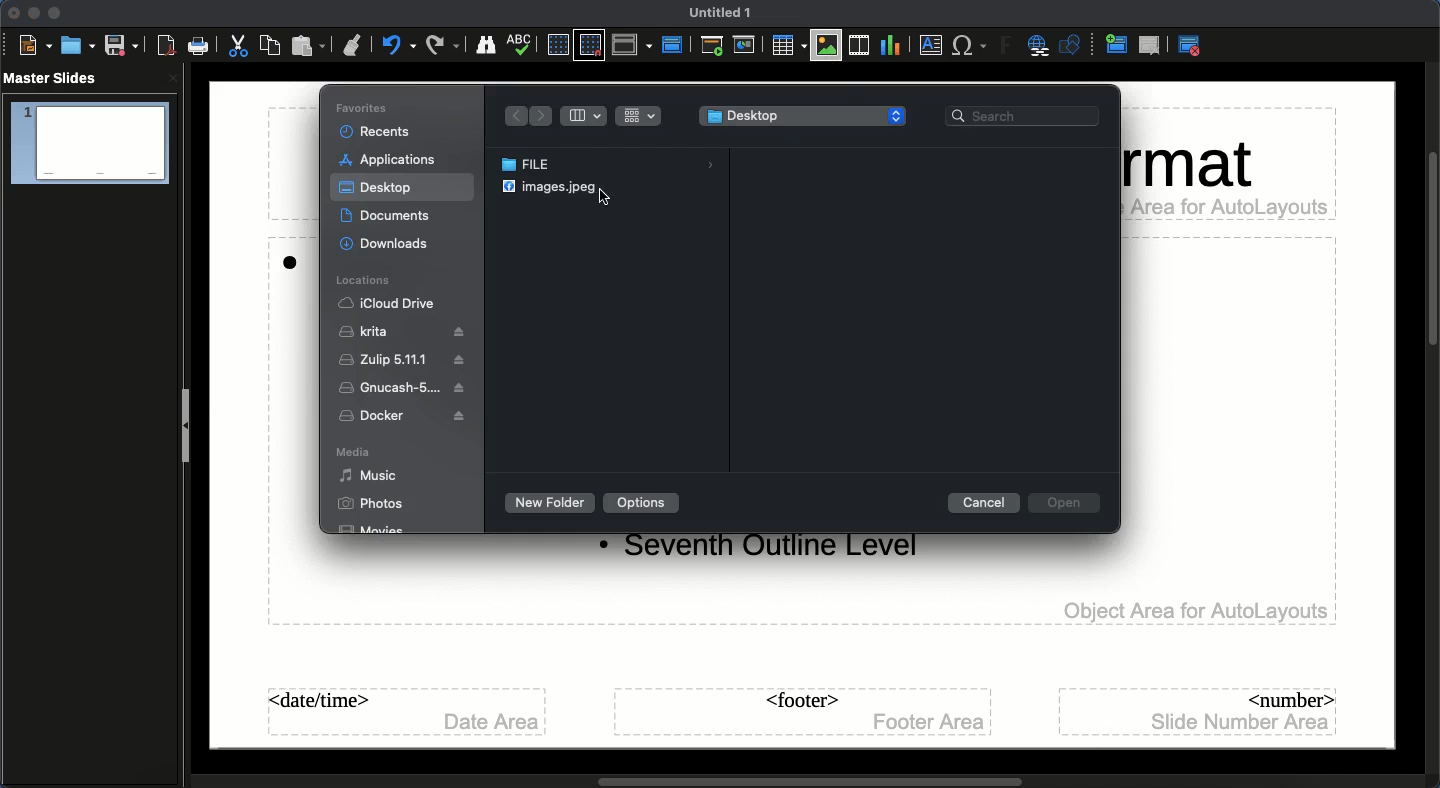  Describe the element at coordinates (199, 46) in the screenshot. I see `Print` at that location.